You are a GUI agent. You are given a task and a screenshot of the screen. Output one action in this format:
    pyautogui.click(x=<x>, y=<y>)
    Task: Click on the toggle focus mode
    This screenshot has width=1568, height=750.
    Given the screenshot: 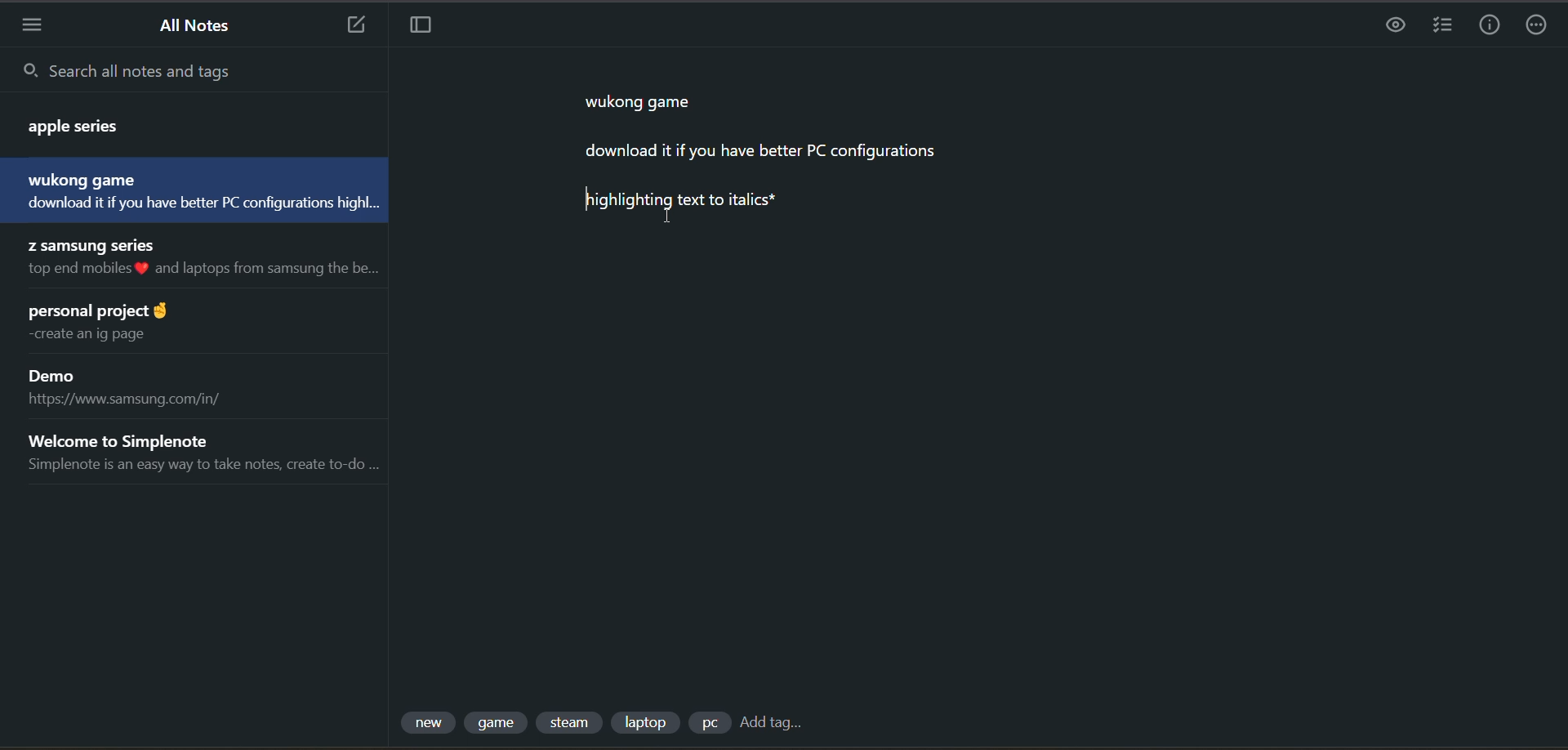 What is the action you would take?
    pyautogui.click(x=421, y=27)
    